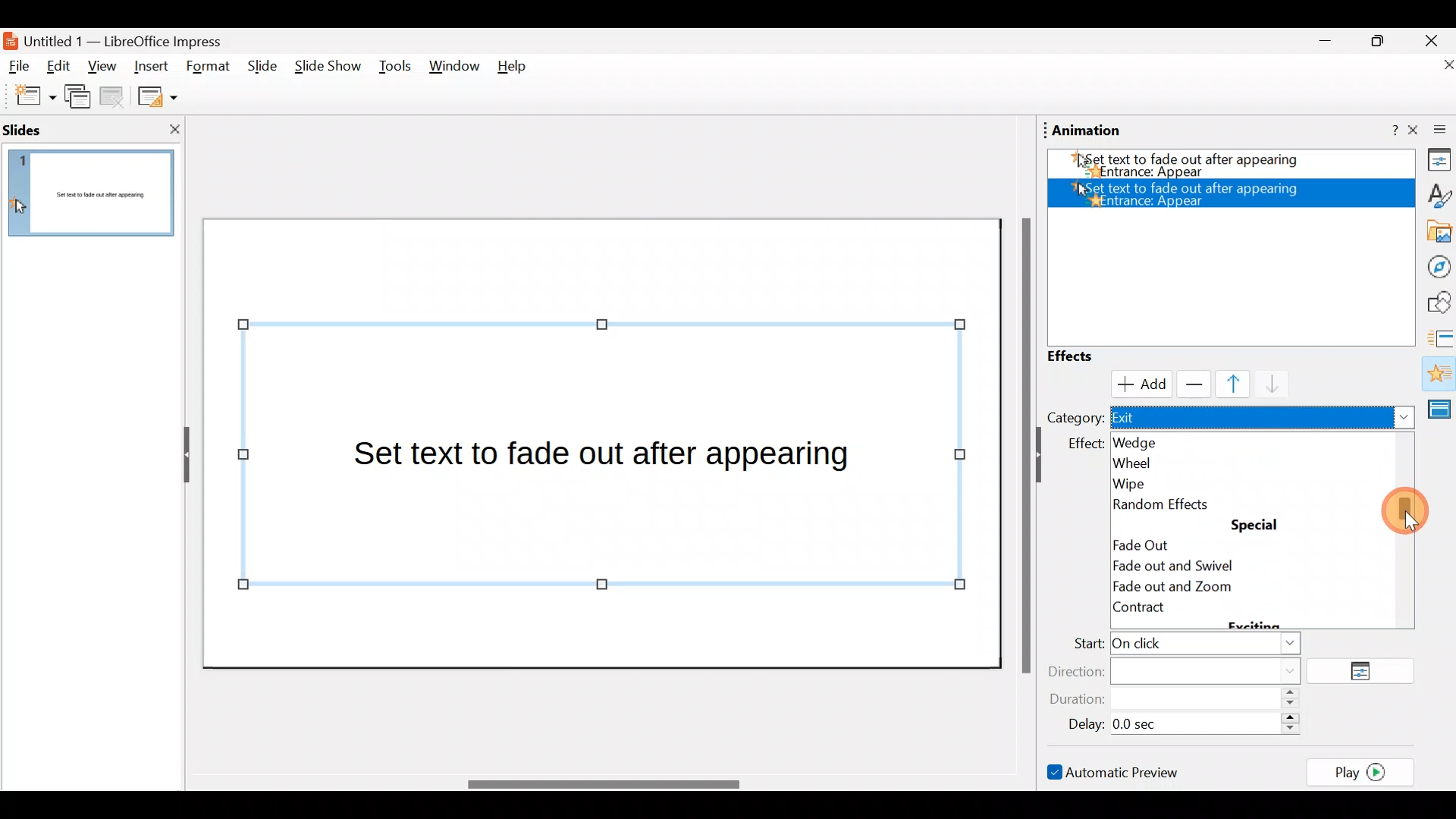  Describe the element at coordinates (1435, 162) in the screenshot. I see `Properties` at that location.